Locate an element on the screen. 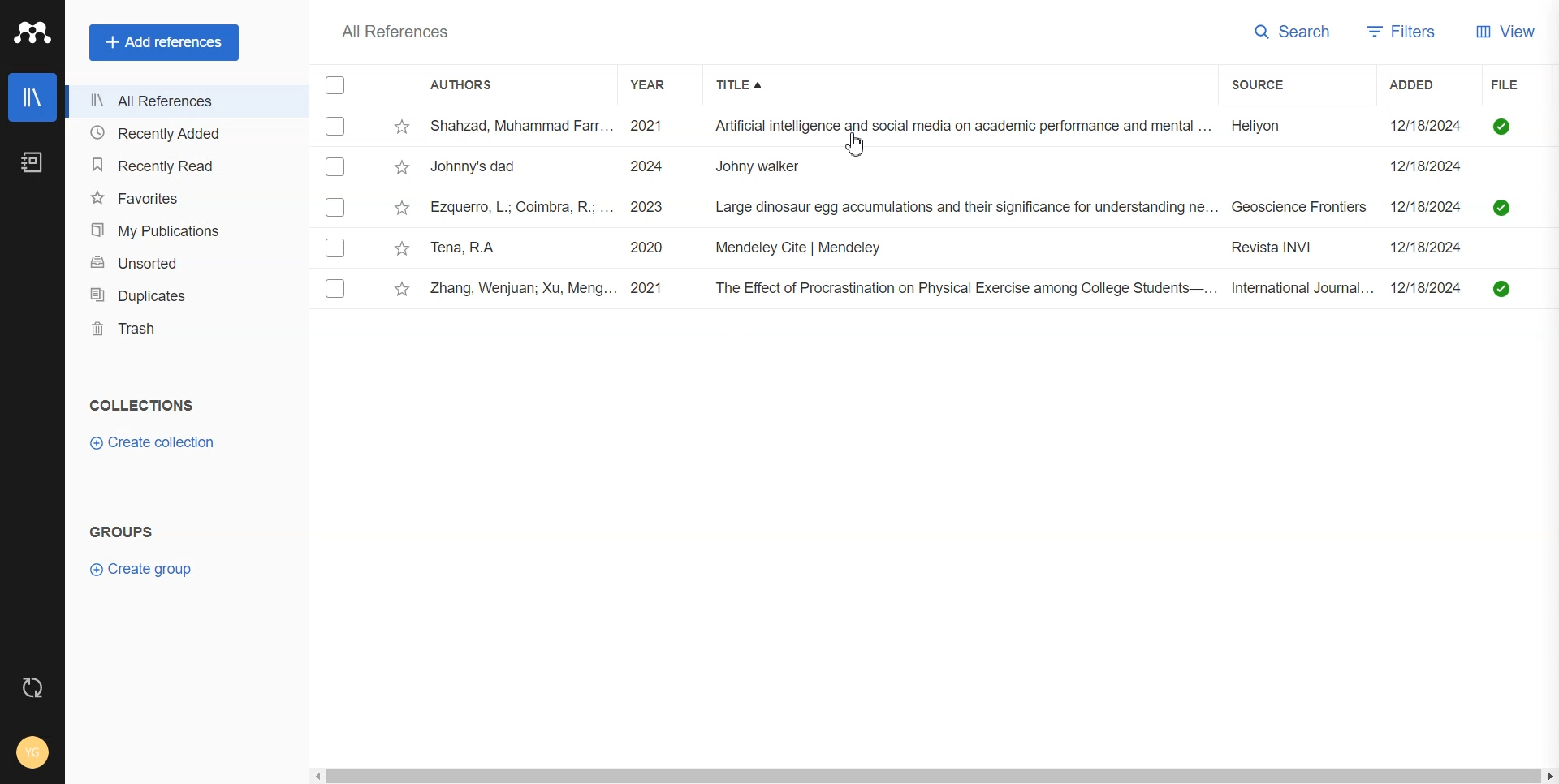  My Publications is located at coordinates (175, 231).